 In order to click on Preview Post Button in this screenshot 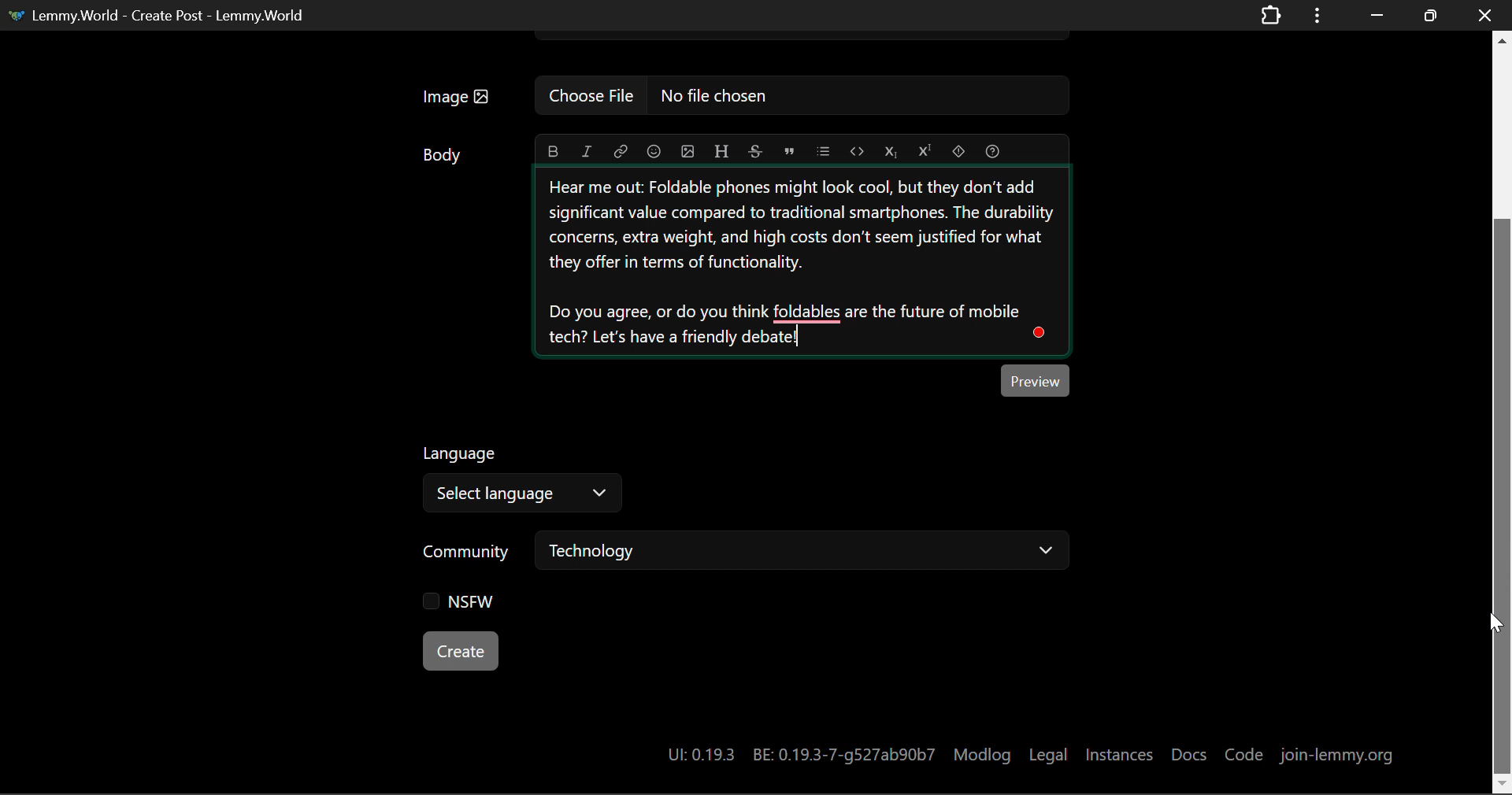, I will do `click(1038, 379)`.